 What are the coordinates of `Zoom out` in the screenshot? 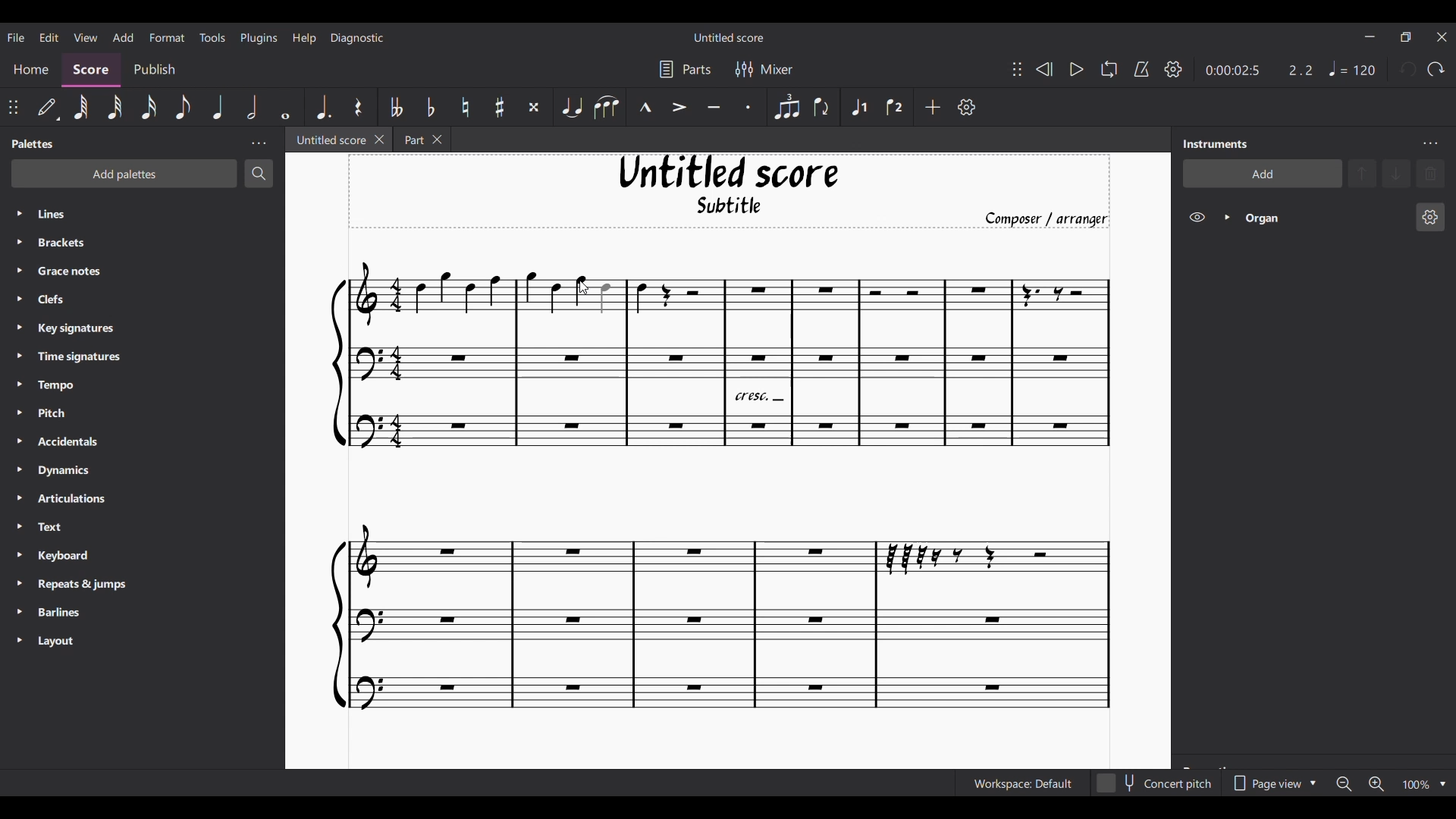 It's located at (1344, 784).